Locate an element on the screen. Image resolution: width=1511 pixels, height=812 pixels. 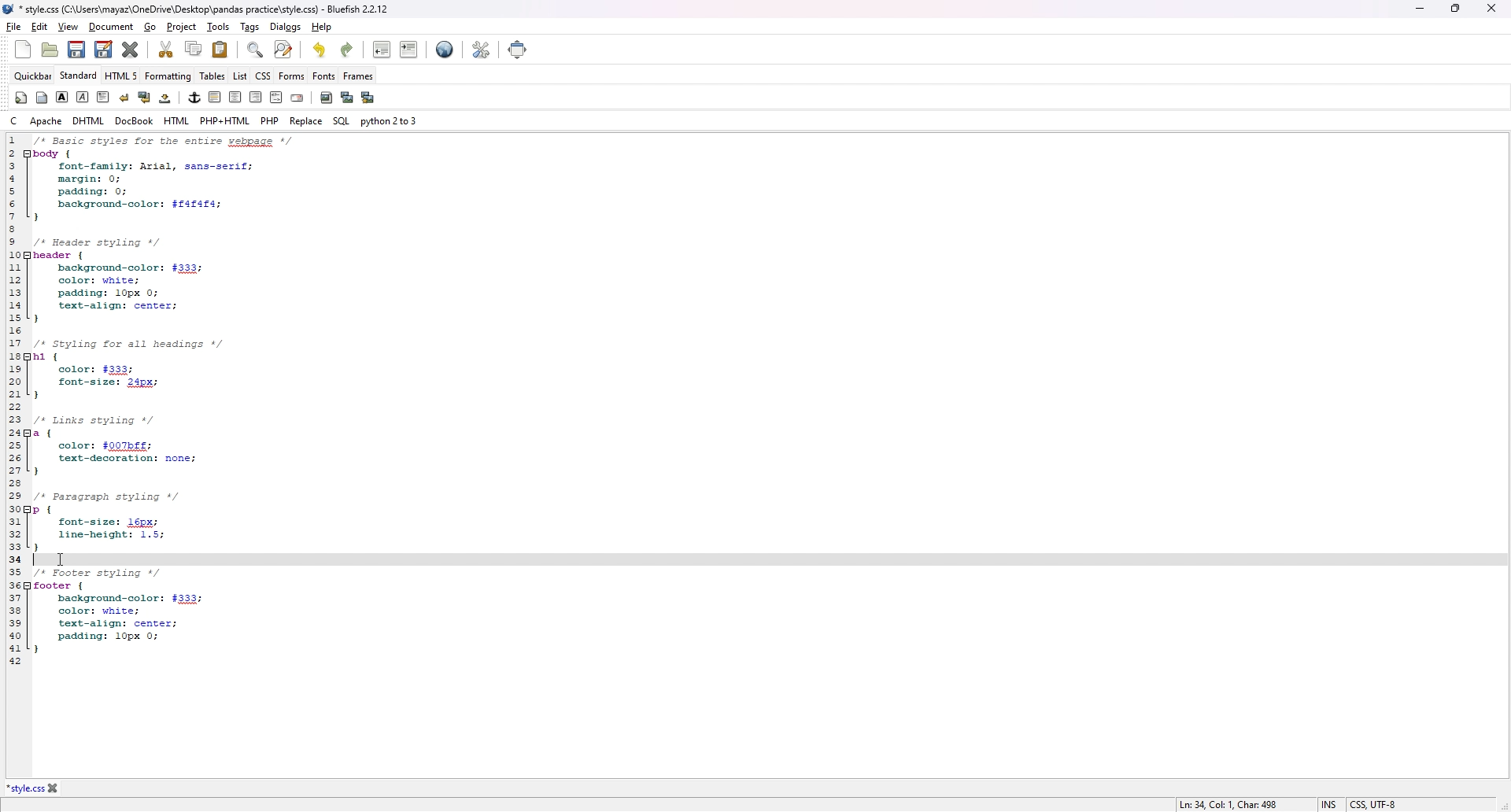
docbook is located at coordinates (134, 121).